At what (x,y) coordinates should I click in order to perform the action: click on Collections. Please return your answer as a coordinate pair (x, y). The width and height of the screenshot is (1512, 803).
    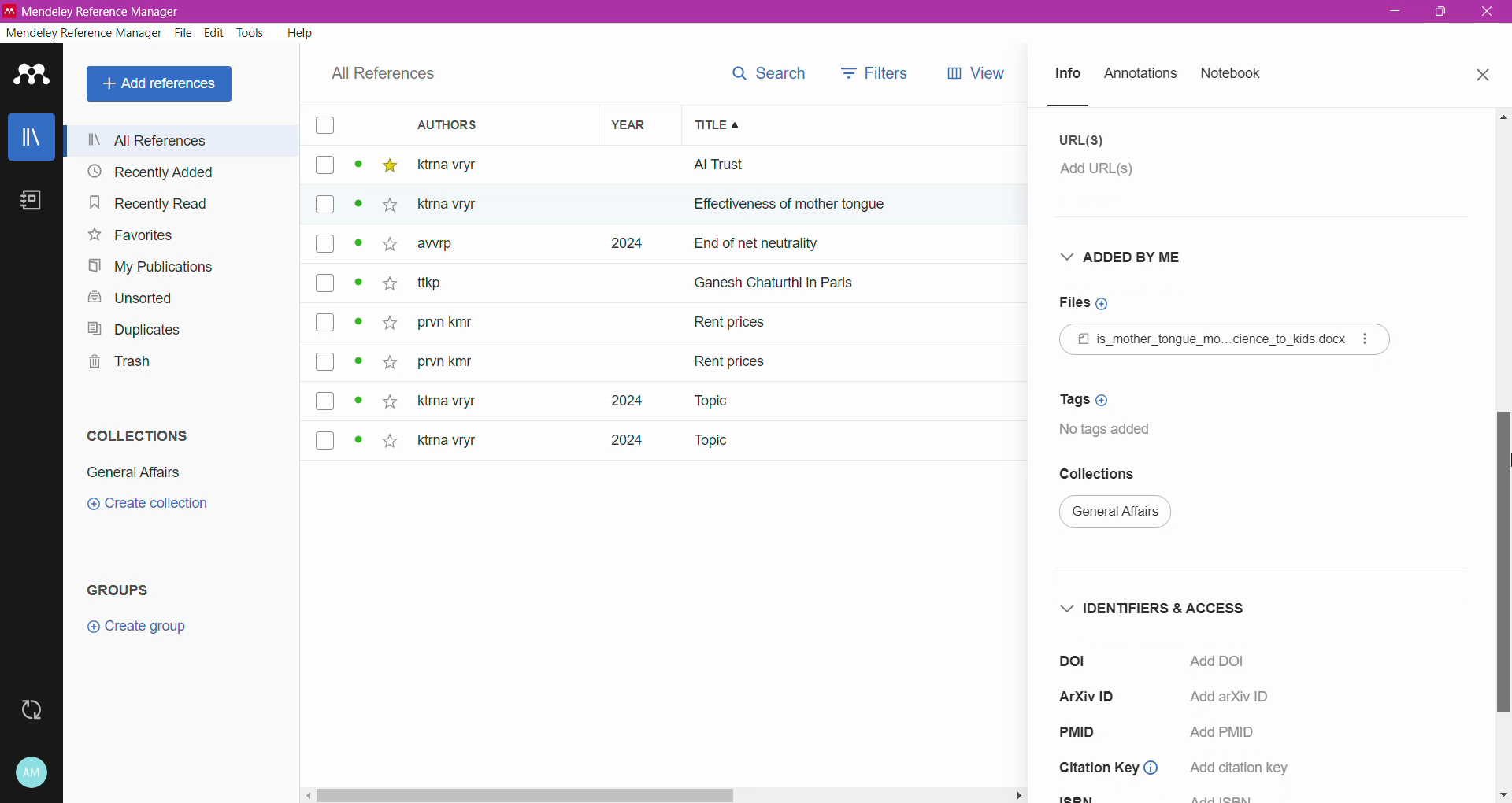
    Looking at the image, I should click on (139, 435).